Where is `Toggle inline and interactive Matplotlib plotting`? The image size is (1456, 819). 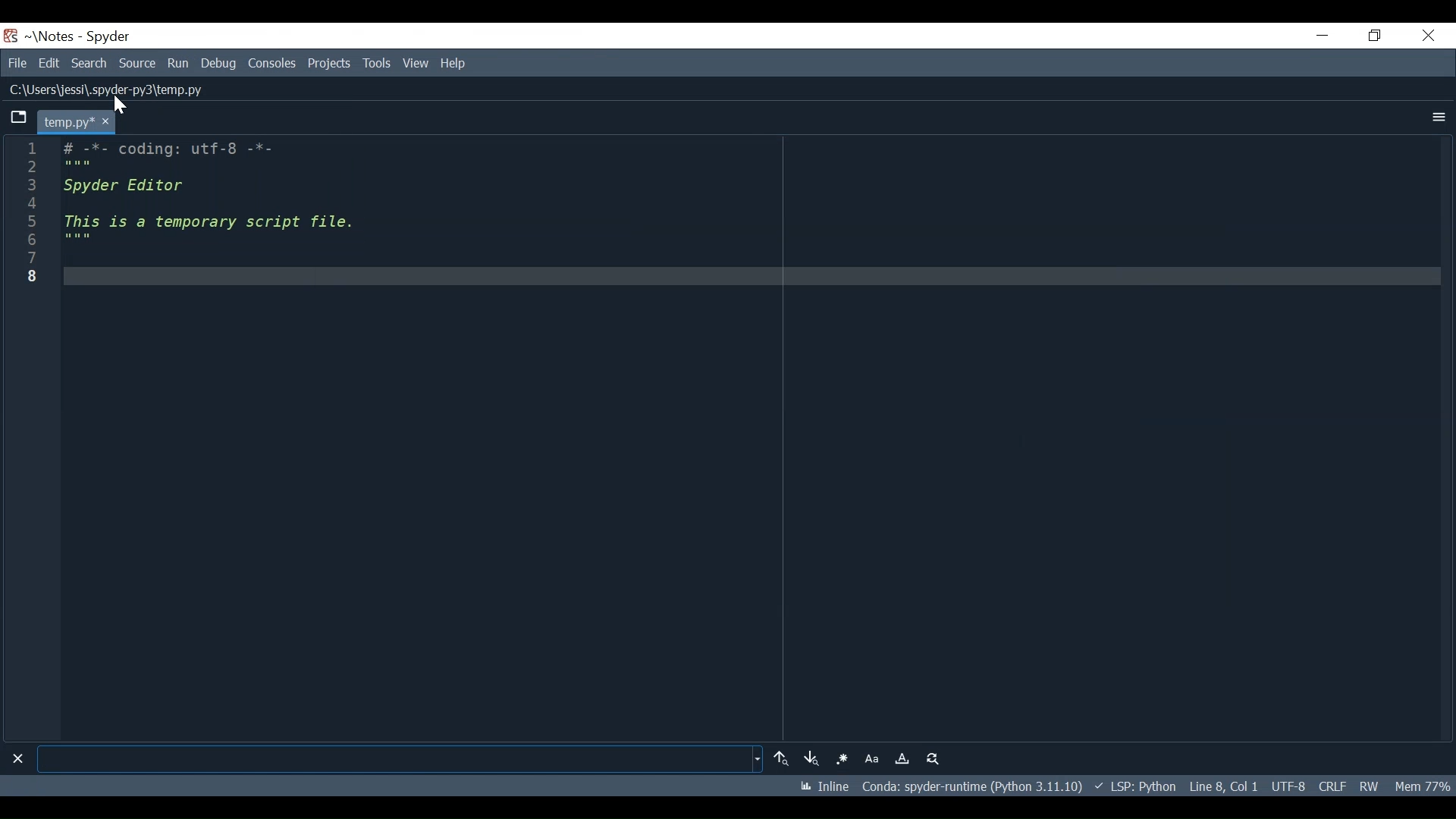
Toggle inline and interactive Matplotlib plotting is located at coordinates (827, 788).